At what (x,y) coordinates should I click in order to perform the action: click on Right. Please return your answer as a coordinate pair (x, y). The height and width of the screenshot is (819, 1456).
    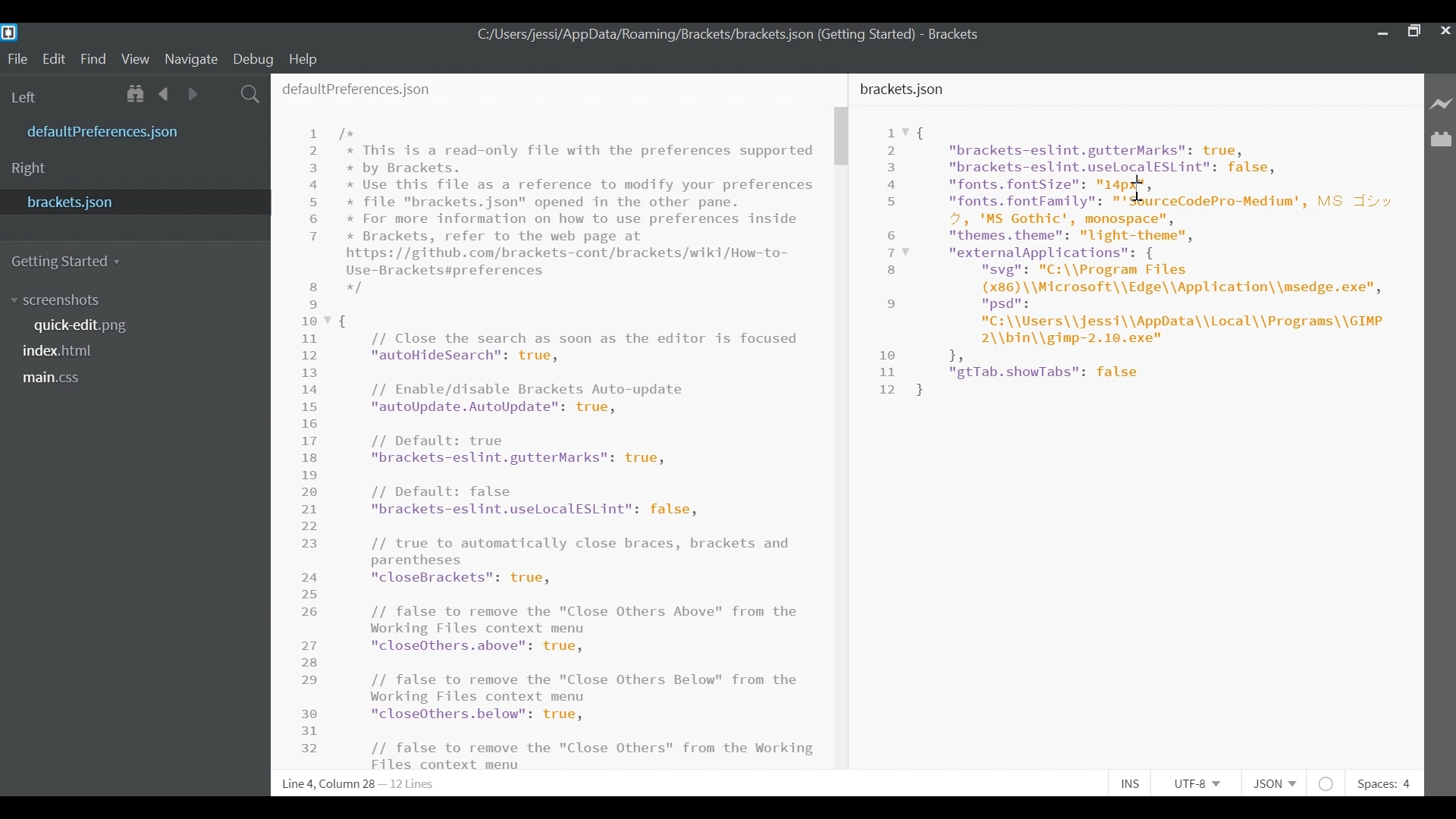
    Looking at the image, I should click on (33, 169).